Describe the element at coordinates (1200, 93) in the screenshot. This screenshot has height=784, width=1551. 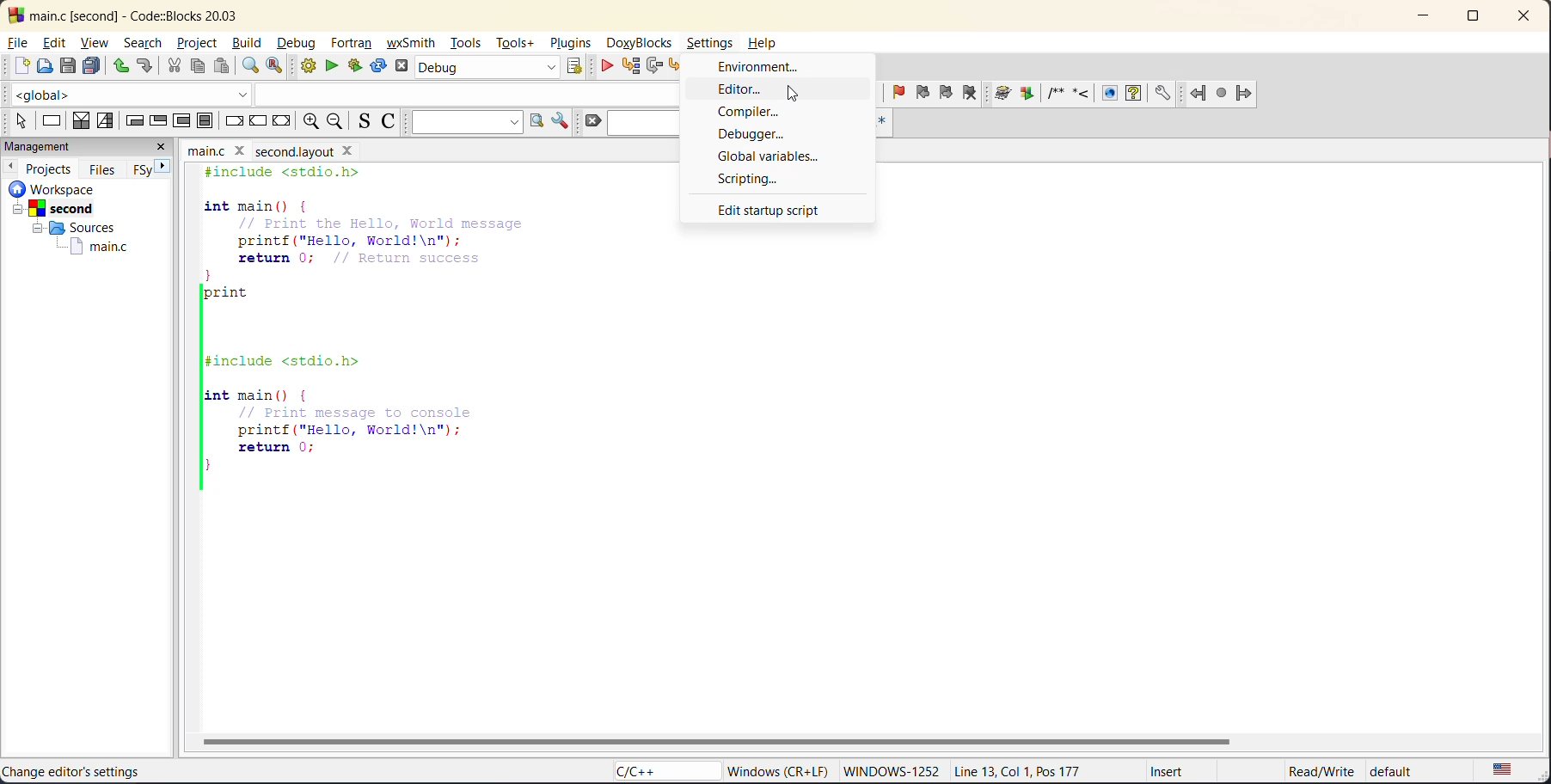
I see `jump backward` at that location.